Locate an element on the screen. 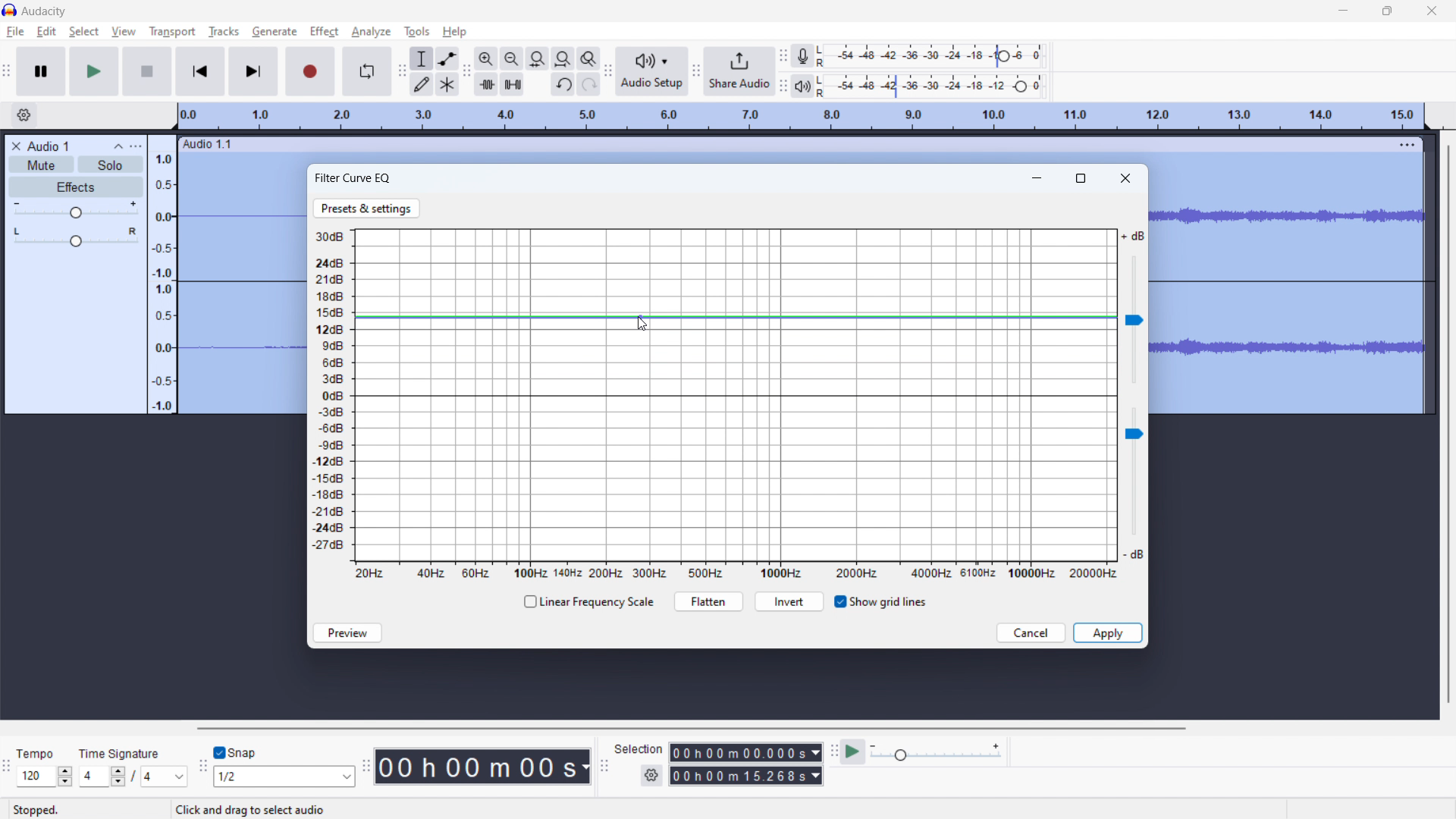 The width and height of the screenshot is (1456, 819). pause is located at coordinates (42, 71).